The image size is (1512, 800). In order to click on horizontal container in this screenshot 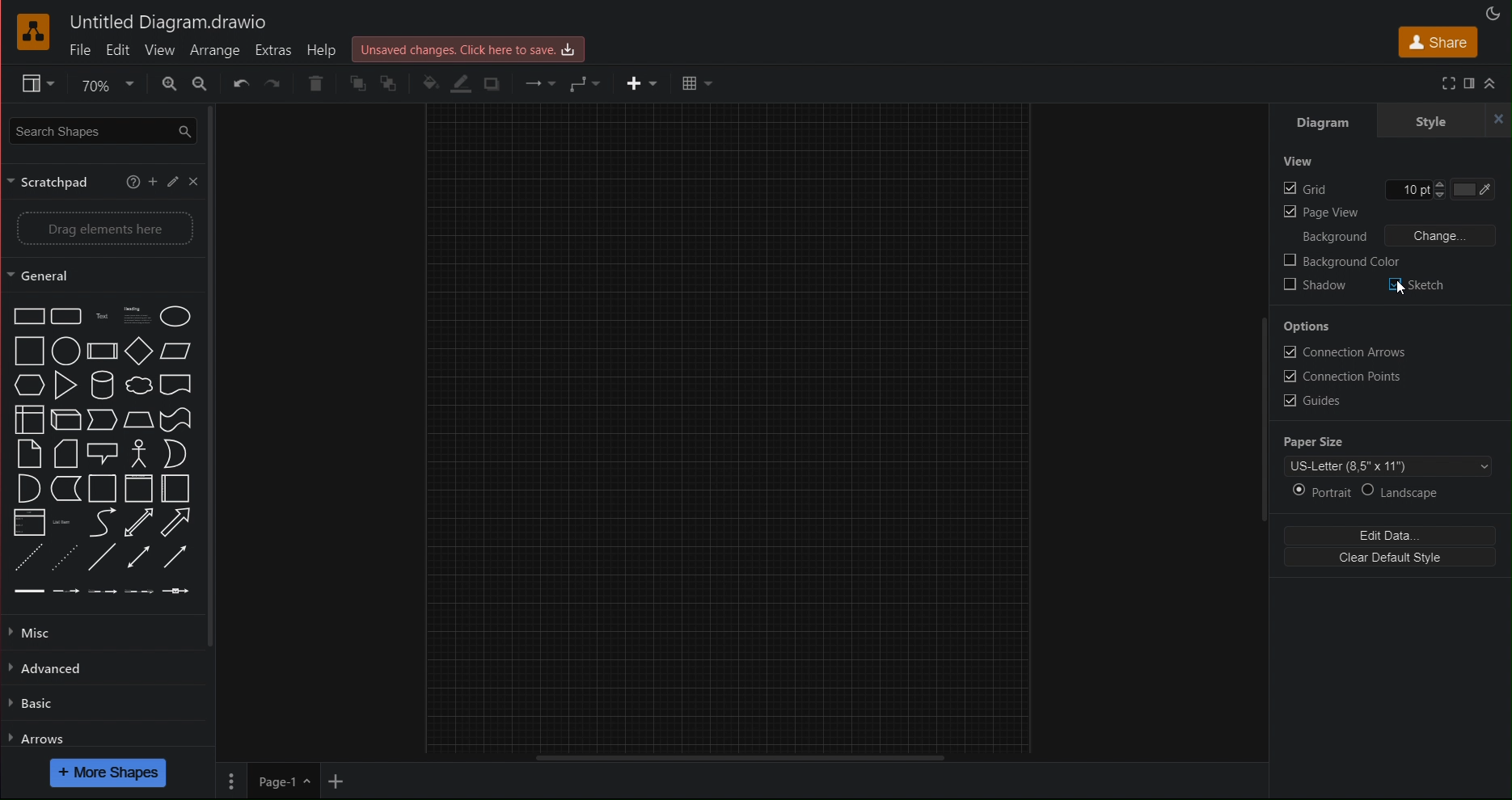, I will do `click(174, 488)`.